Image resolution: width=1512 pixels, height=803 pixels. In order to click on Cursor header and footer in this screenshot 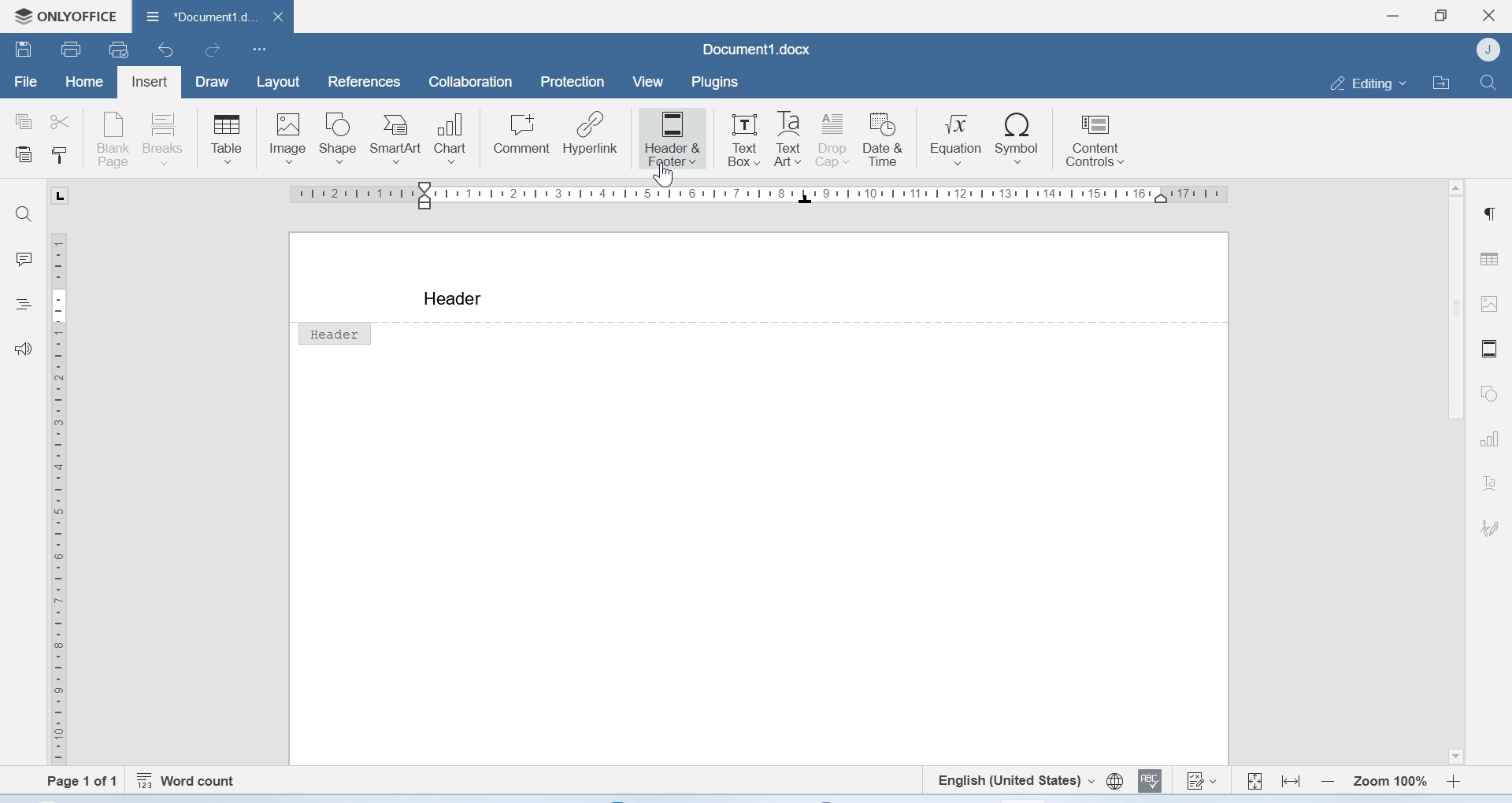, I will do `click(677, 177)`.